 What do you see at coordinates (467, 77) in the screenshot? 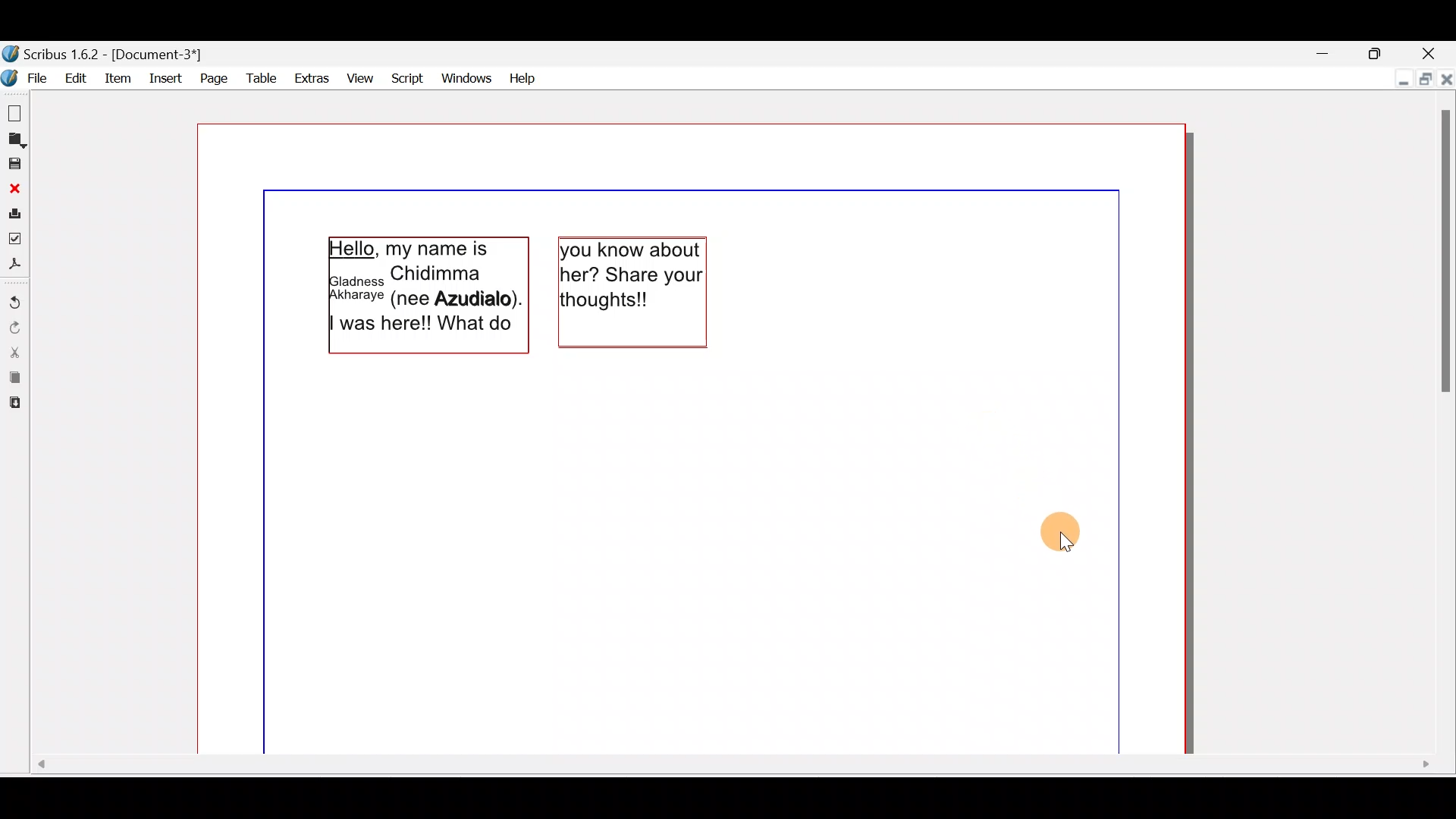
I see `Windows` at bounding box center [467, 77].